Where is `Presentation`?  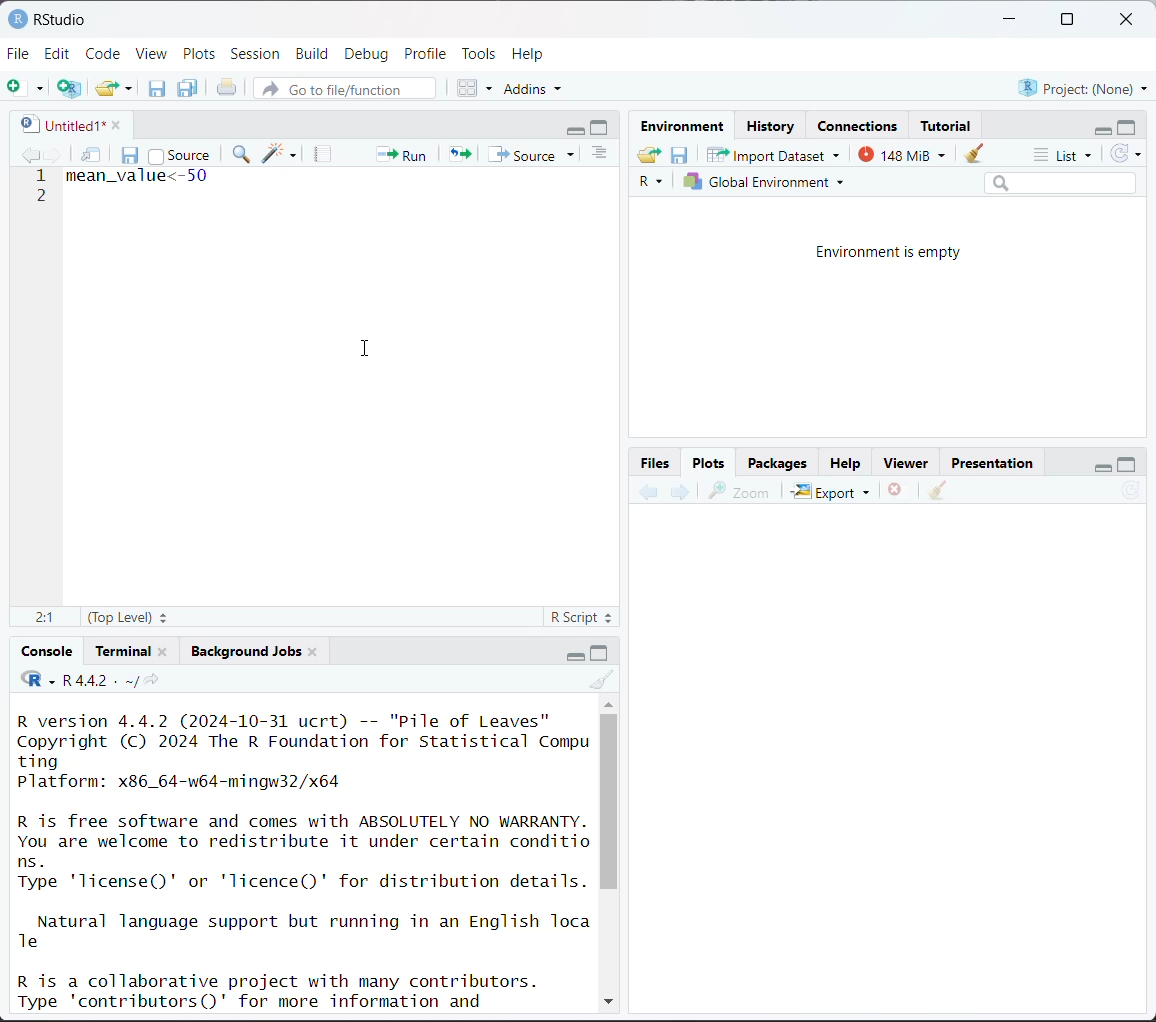
Presentation is located at coordinates (993, 464).